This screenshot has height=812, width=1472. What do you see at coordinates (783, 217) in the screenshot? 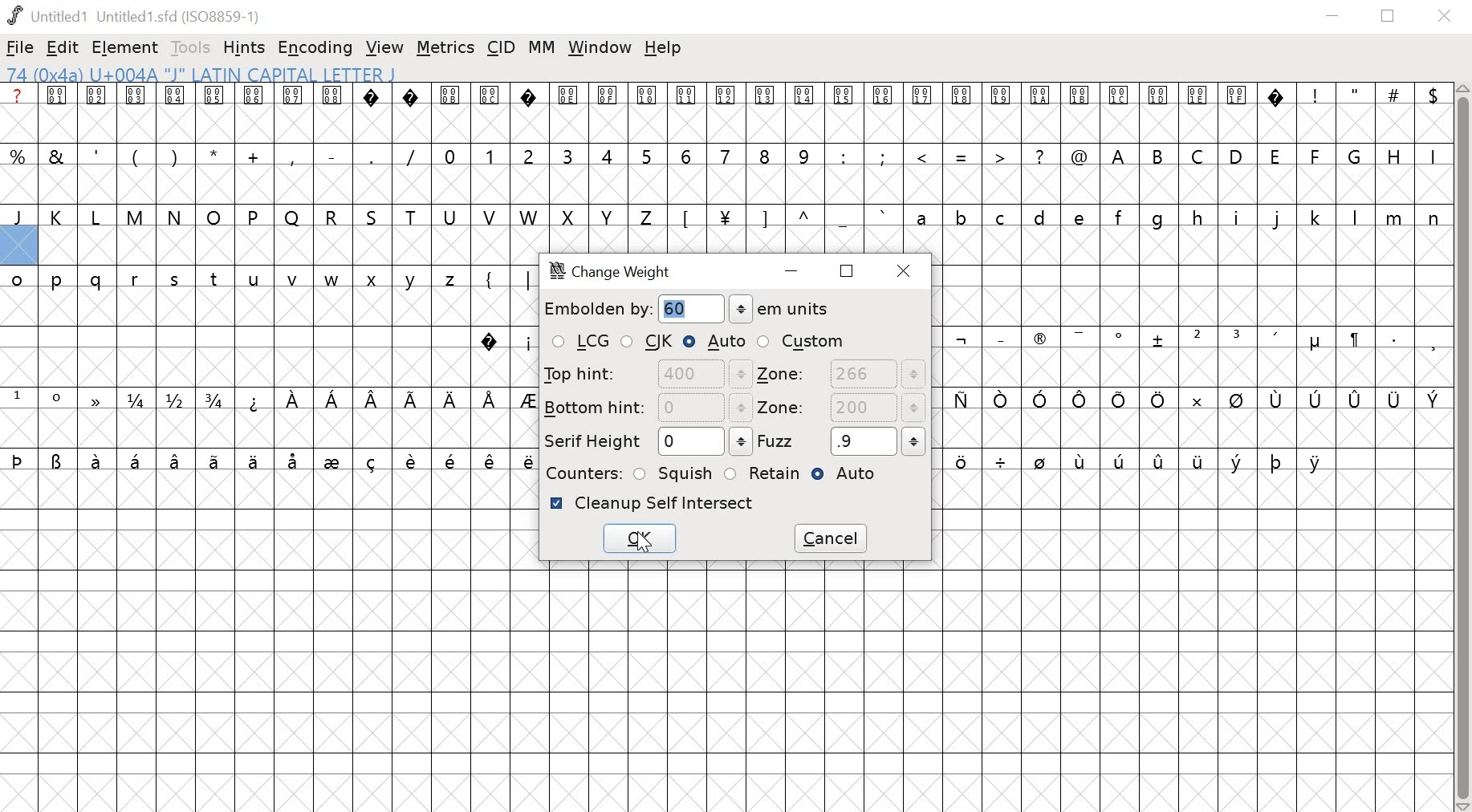
I see `symbols` at bounding box center [783, 217].